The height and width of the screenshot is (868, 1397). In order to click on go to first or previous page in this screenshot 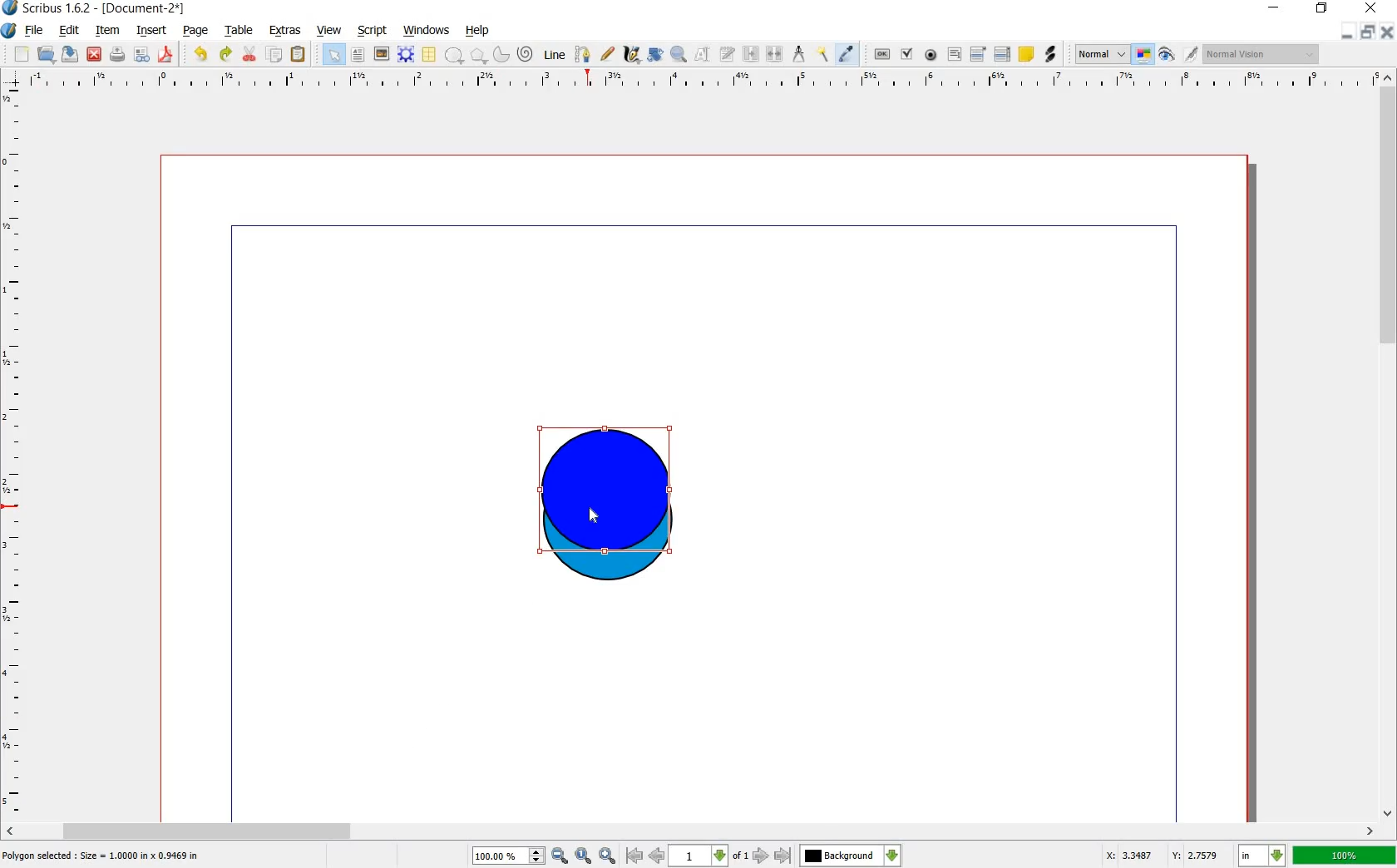, I will do `click(645, 856)`.